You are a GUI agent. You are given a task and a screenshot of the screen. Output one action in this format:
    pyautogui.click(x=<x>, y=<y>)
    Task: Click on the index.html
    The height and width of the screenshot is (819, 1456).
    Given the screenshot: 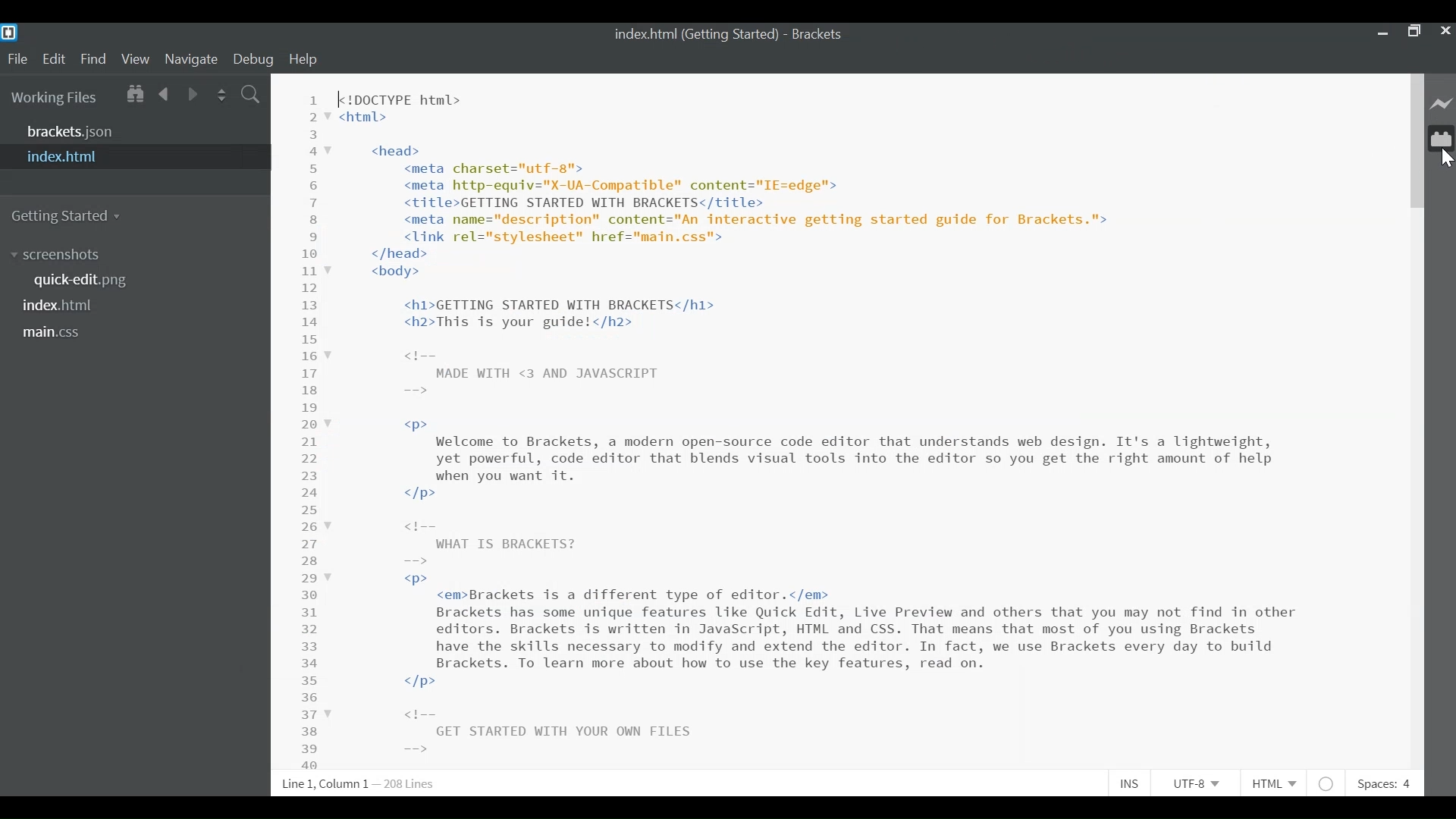 What is the action you would take?
    pyautogui.click(x=131, y=156)
    